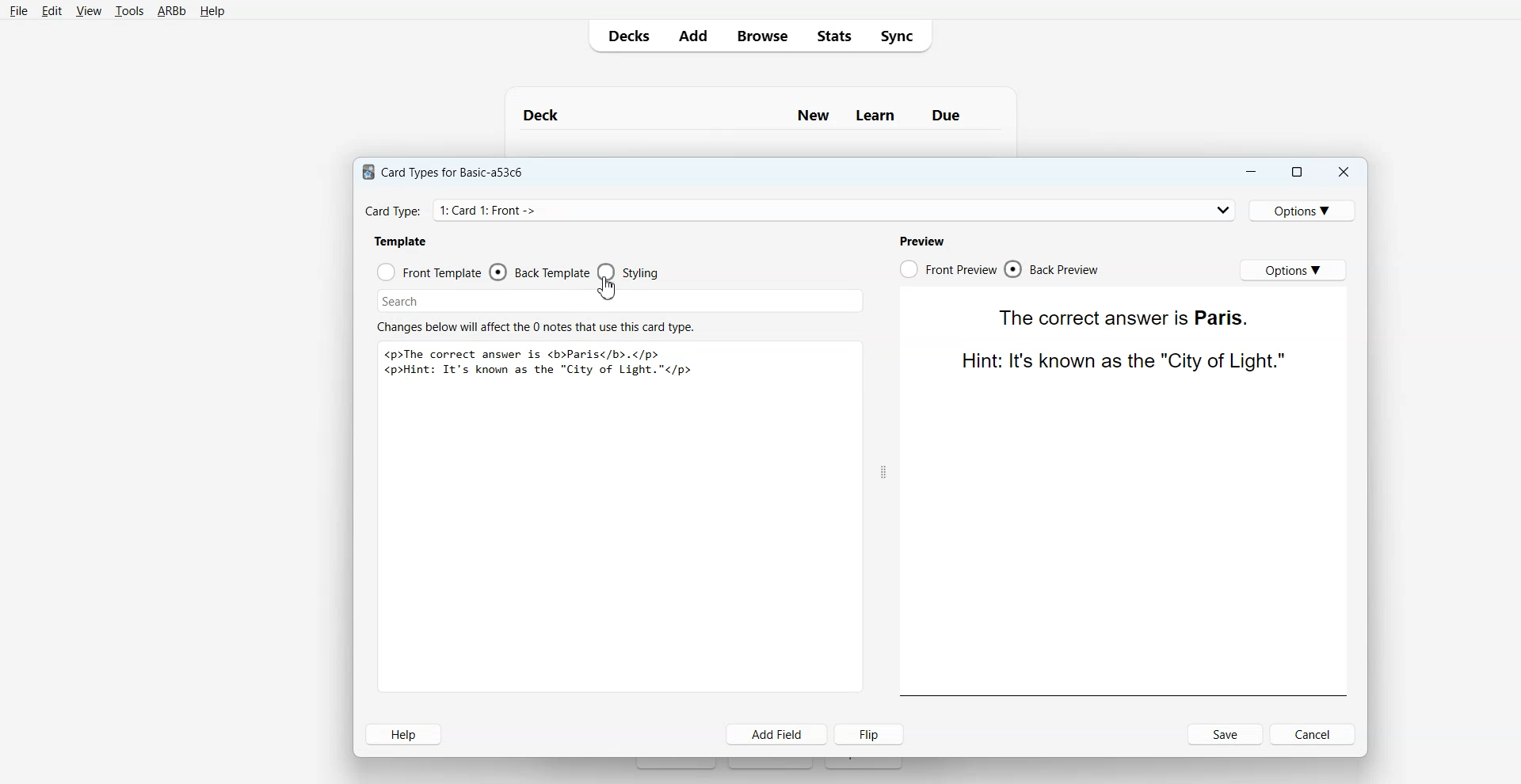  I want to click on Add, so click(692, 36).